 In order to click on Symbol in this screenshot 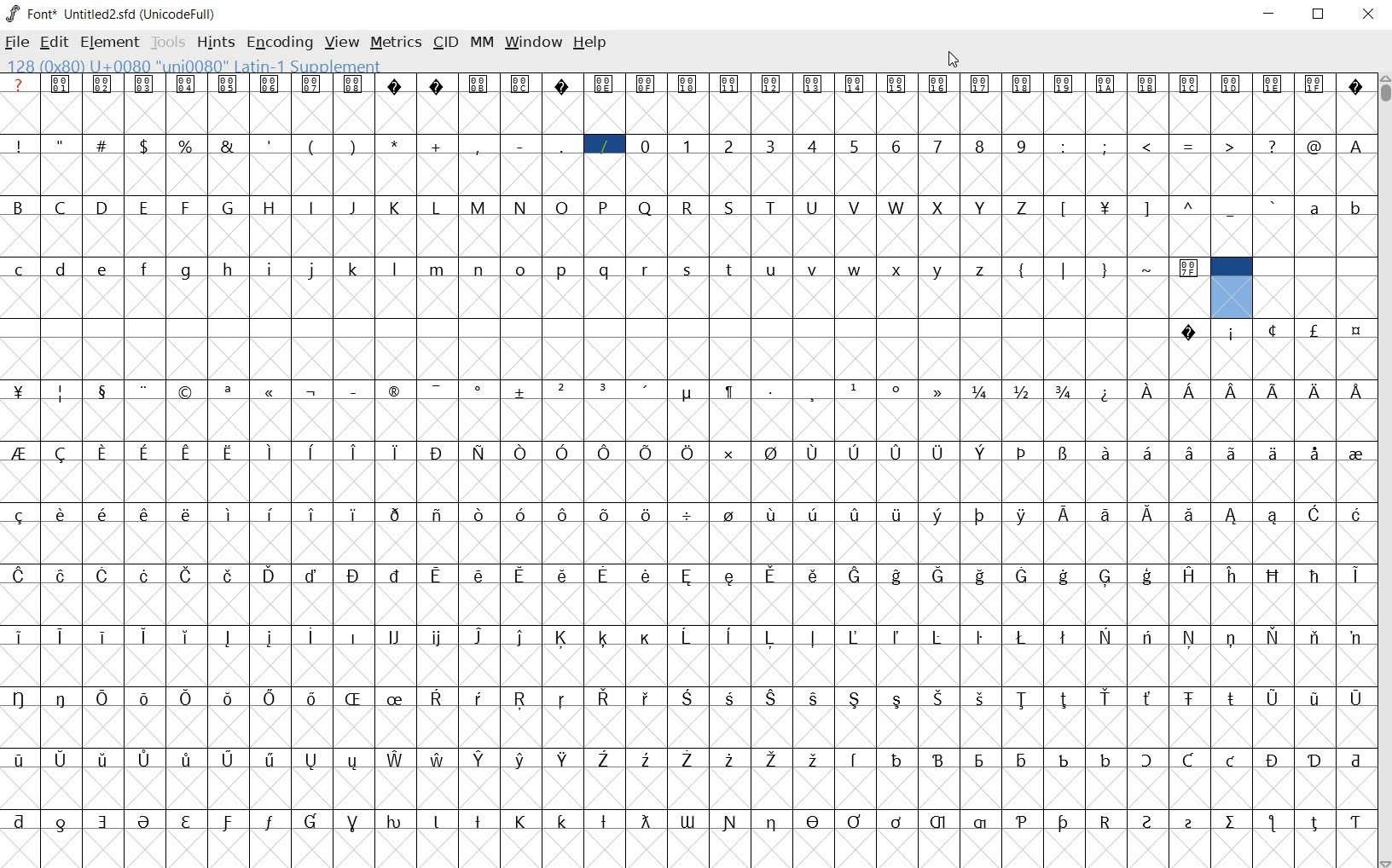, I will do `click(980, 758)`.